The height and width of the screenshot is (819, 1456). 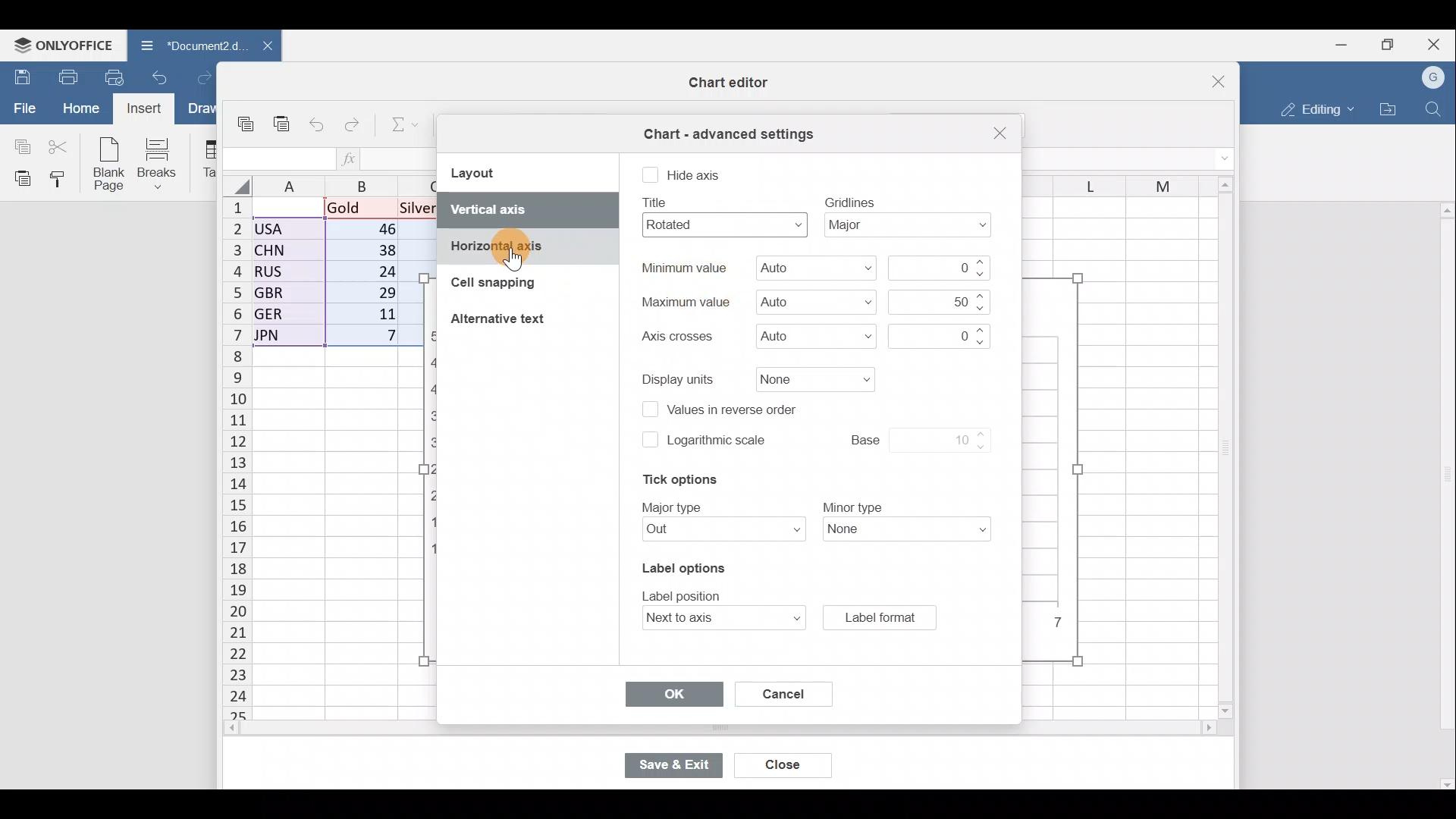 What do you see at coordinates (259, 47) in the screenshot?
I see `Close document` at bounding box center [259, 47].